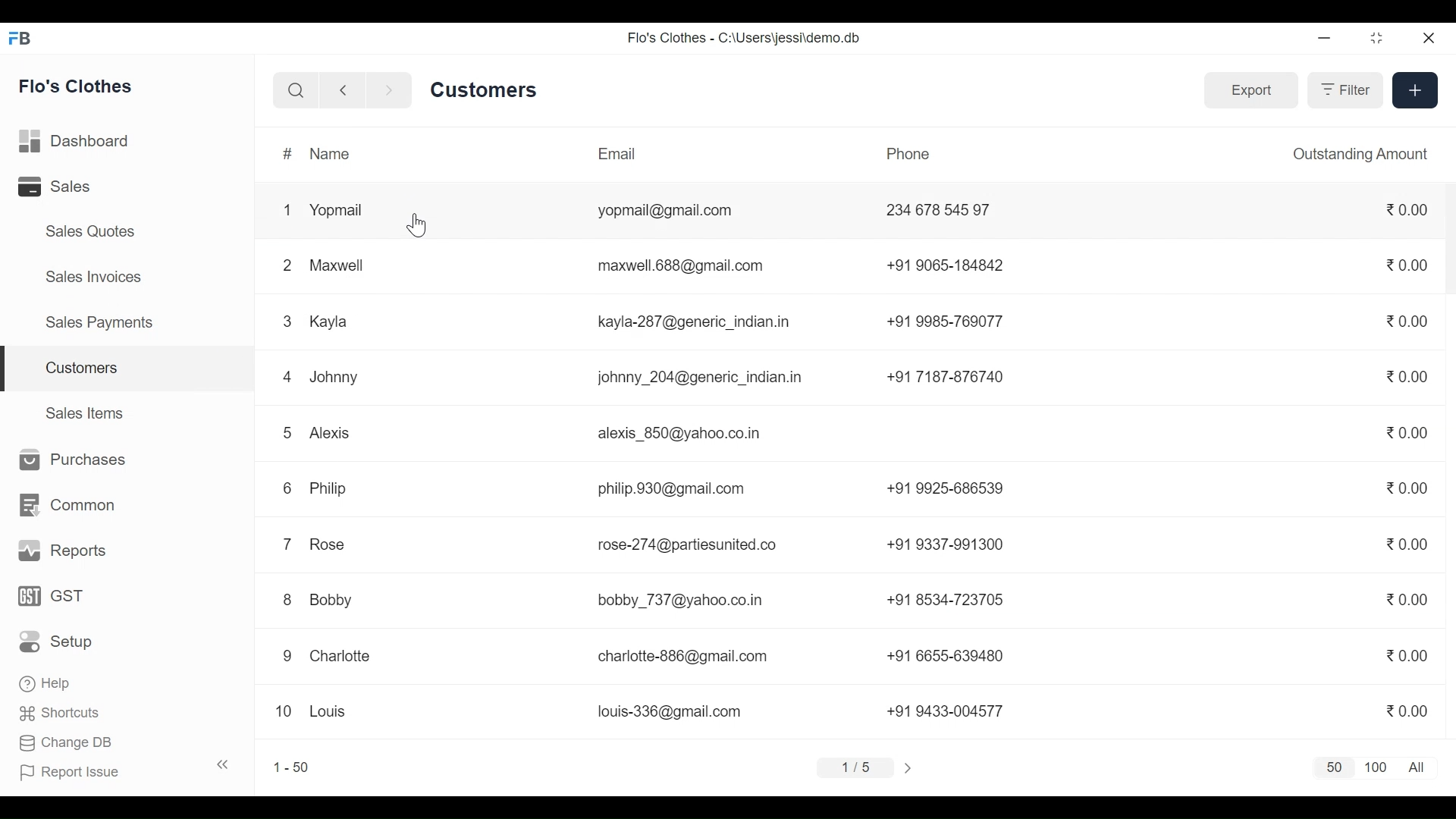  Describe the element at coordinates (67, 745) in the screenshot. I see `Change DB` at that location.